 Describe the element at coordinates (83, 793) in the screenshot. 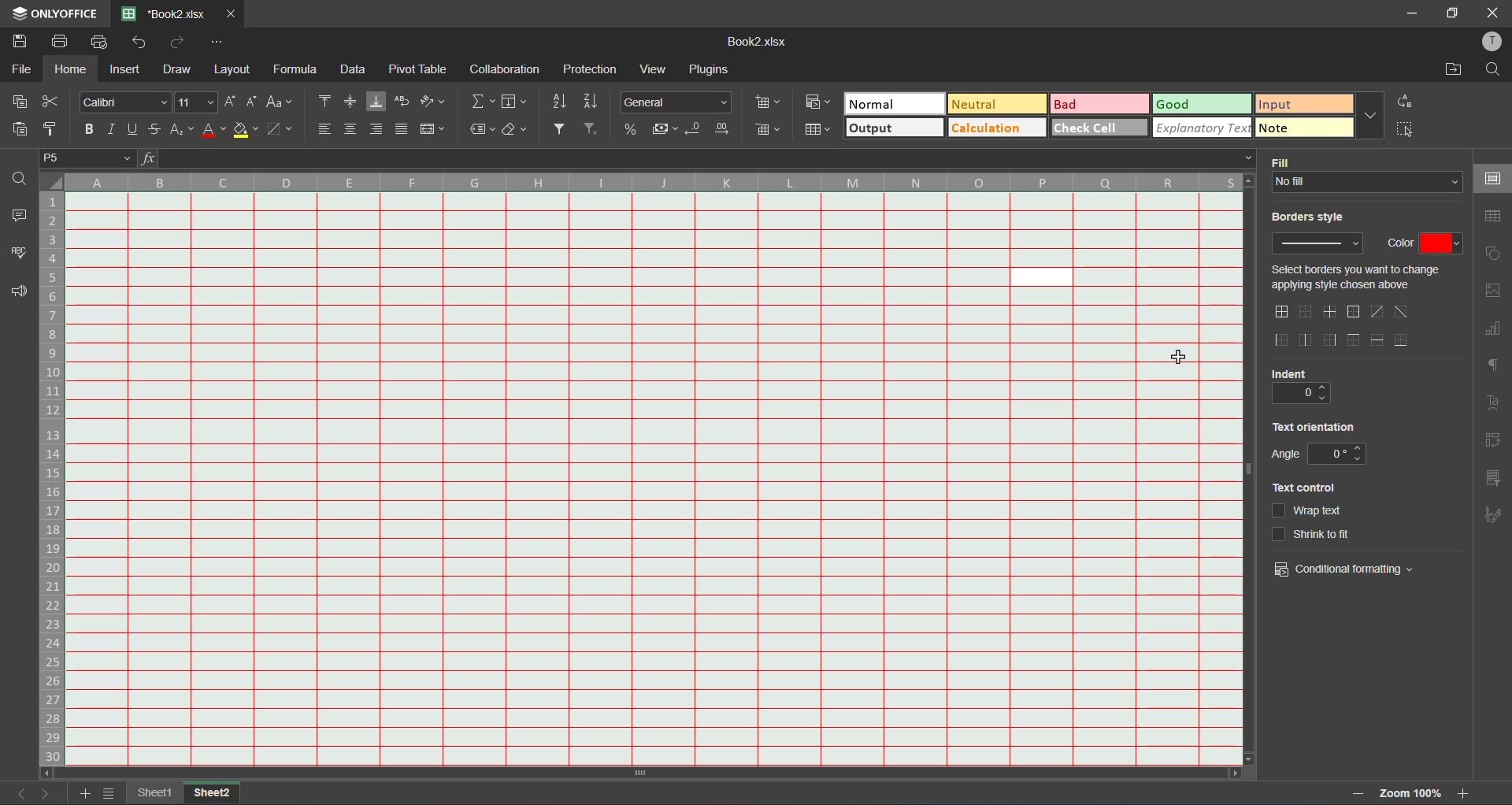

I see `add sheet` at that location.